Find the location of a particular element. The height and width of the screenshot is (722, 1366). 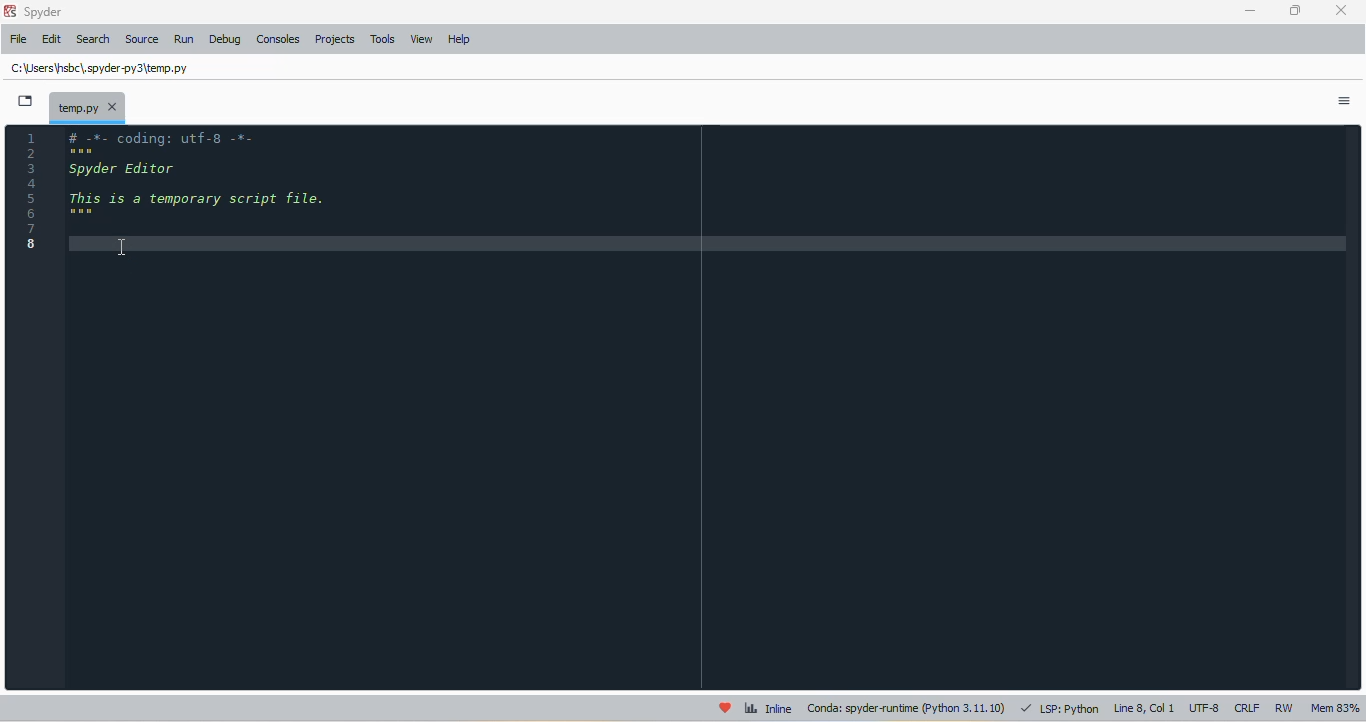

file is located at coordinates (20, 38).